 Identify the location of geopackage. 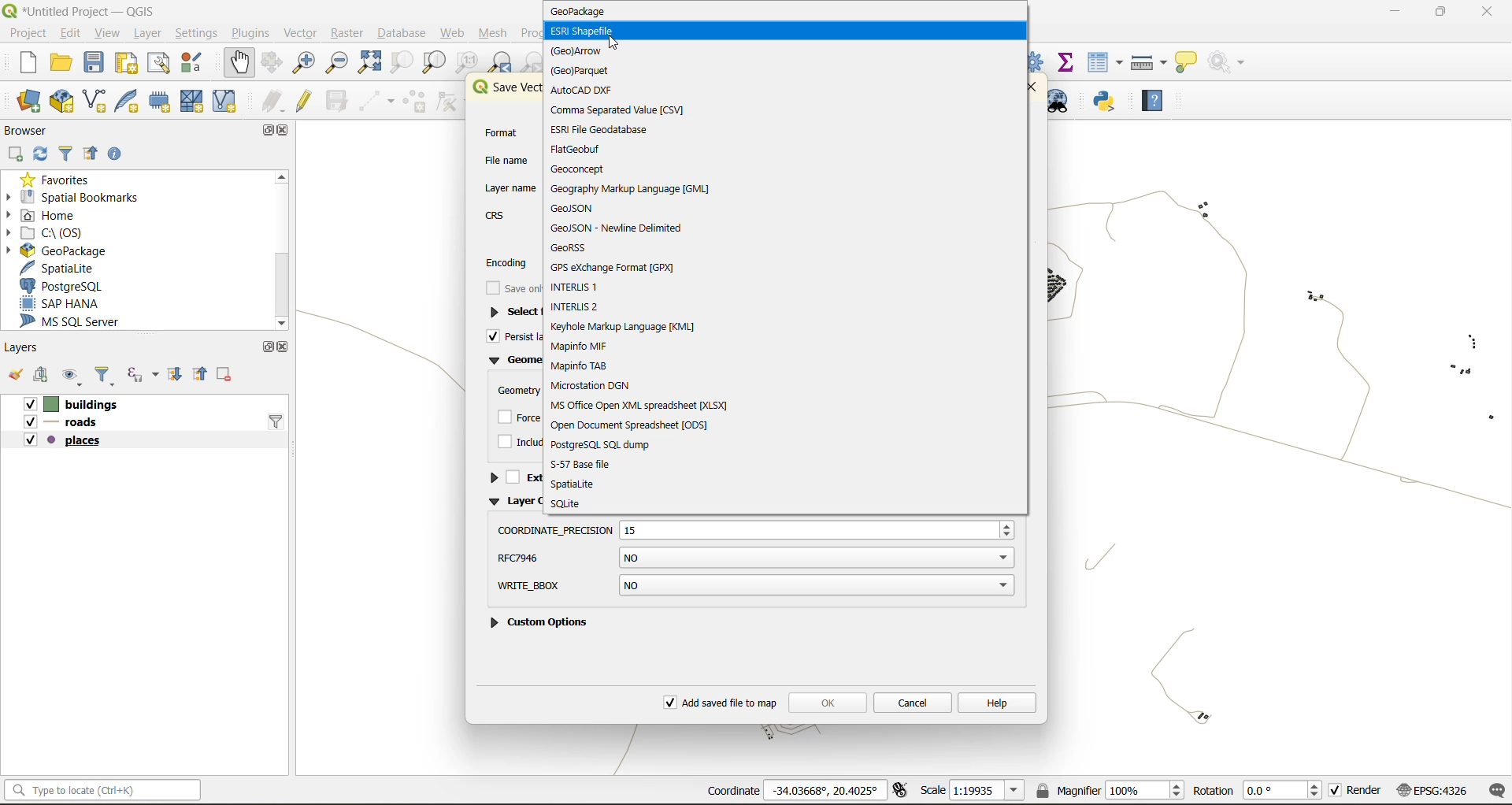
(585, 13).